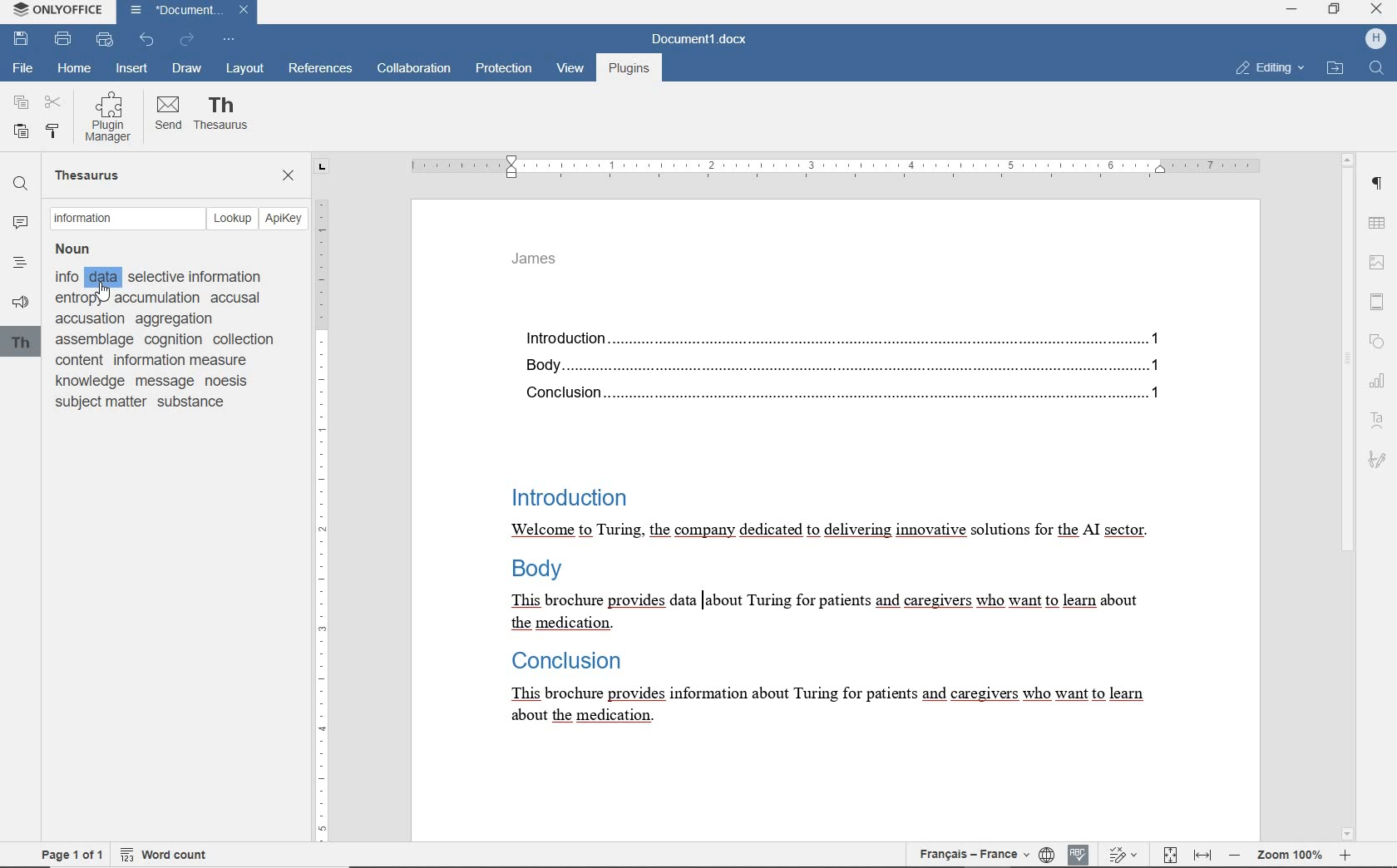 The image size is (1397, 868). What do you see at coordinates (230, 40) in the screenshot?
I see `CUSTOMIZE QUICK ACCESS TOOLBAR` at bounding box center [230, 40].